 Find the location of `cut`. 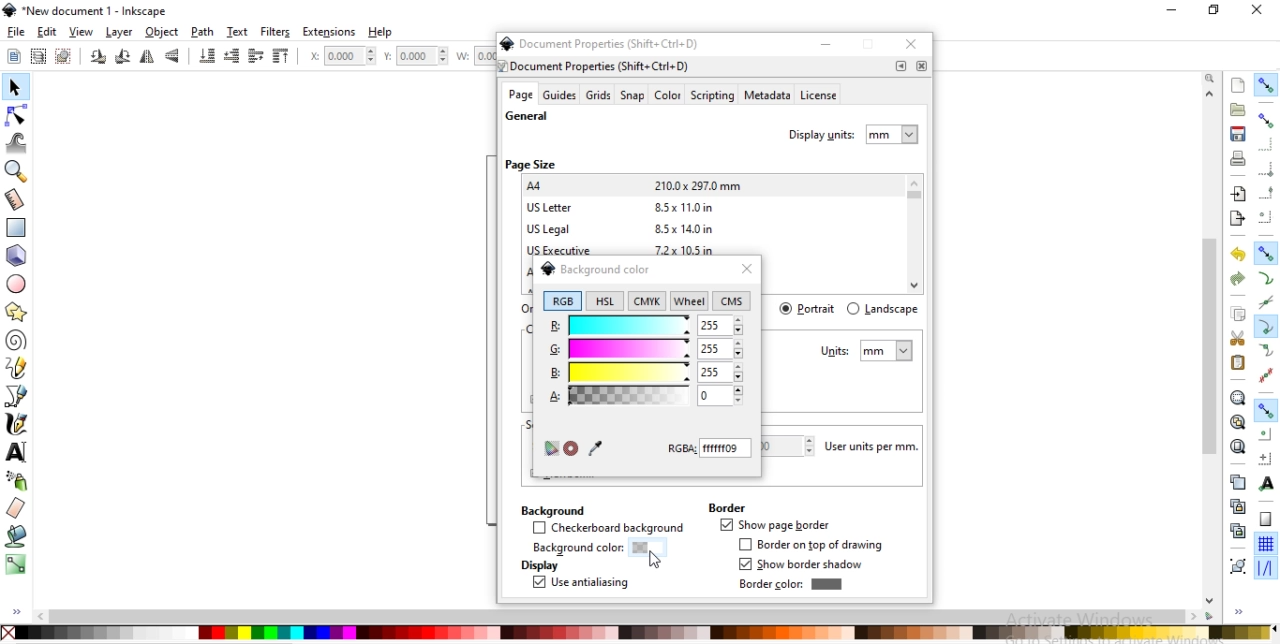

cut is located at coordinates (1238, 337).